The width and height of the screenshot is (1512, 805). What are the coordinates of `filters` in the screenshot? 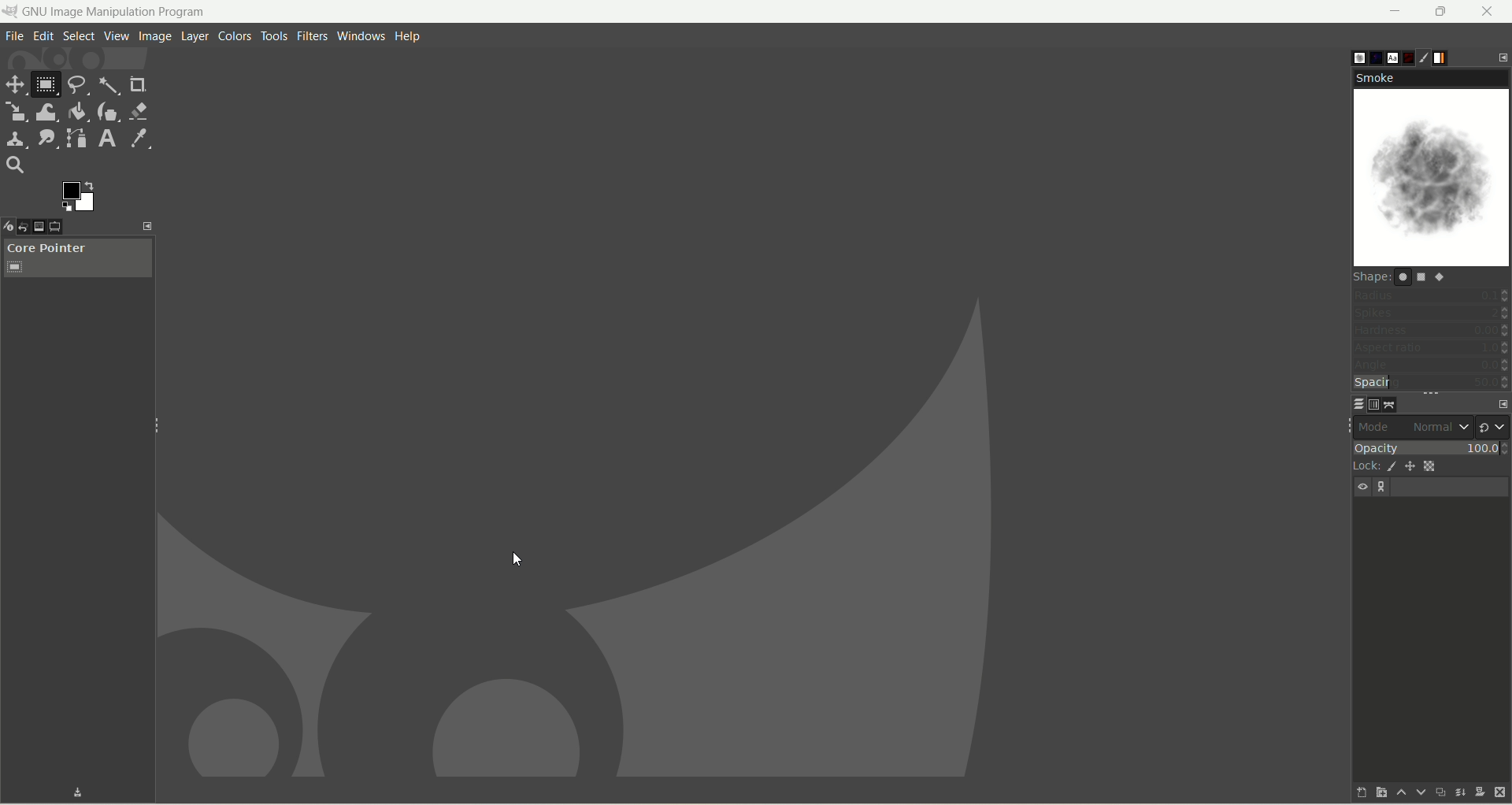 It's located at (311, 37).